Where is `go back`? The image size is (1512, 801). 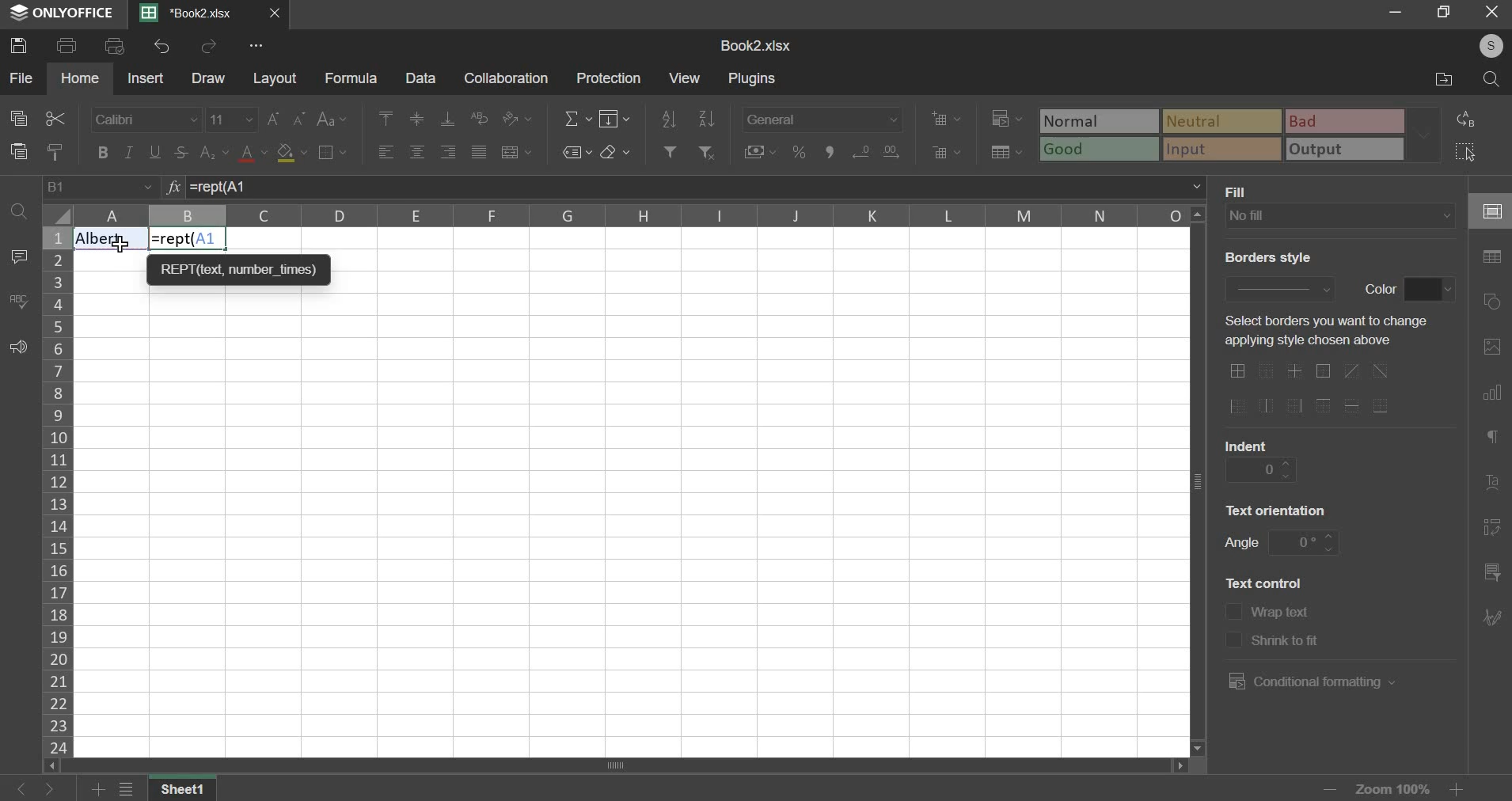 go back is located at coordinates (18, 789).